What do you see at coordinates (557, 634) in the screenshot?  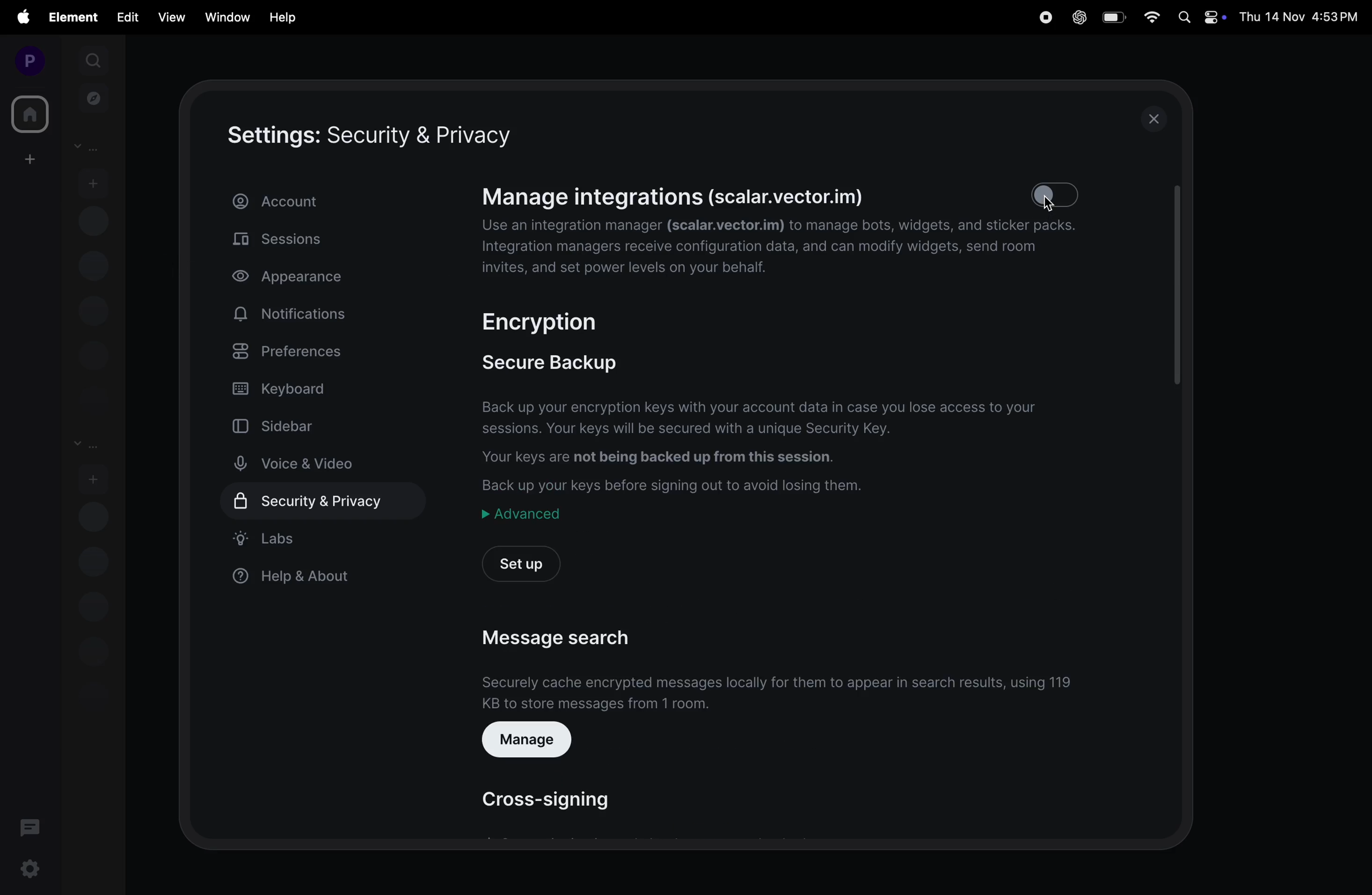 I see `message search` at bounding box center [557, 634].